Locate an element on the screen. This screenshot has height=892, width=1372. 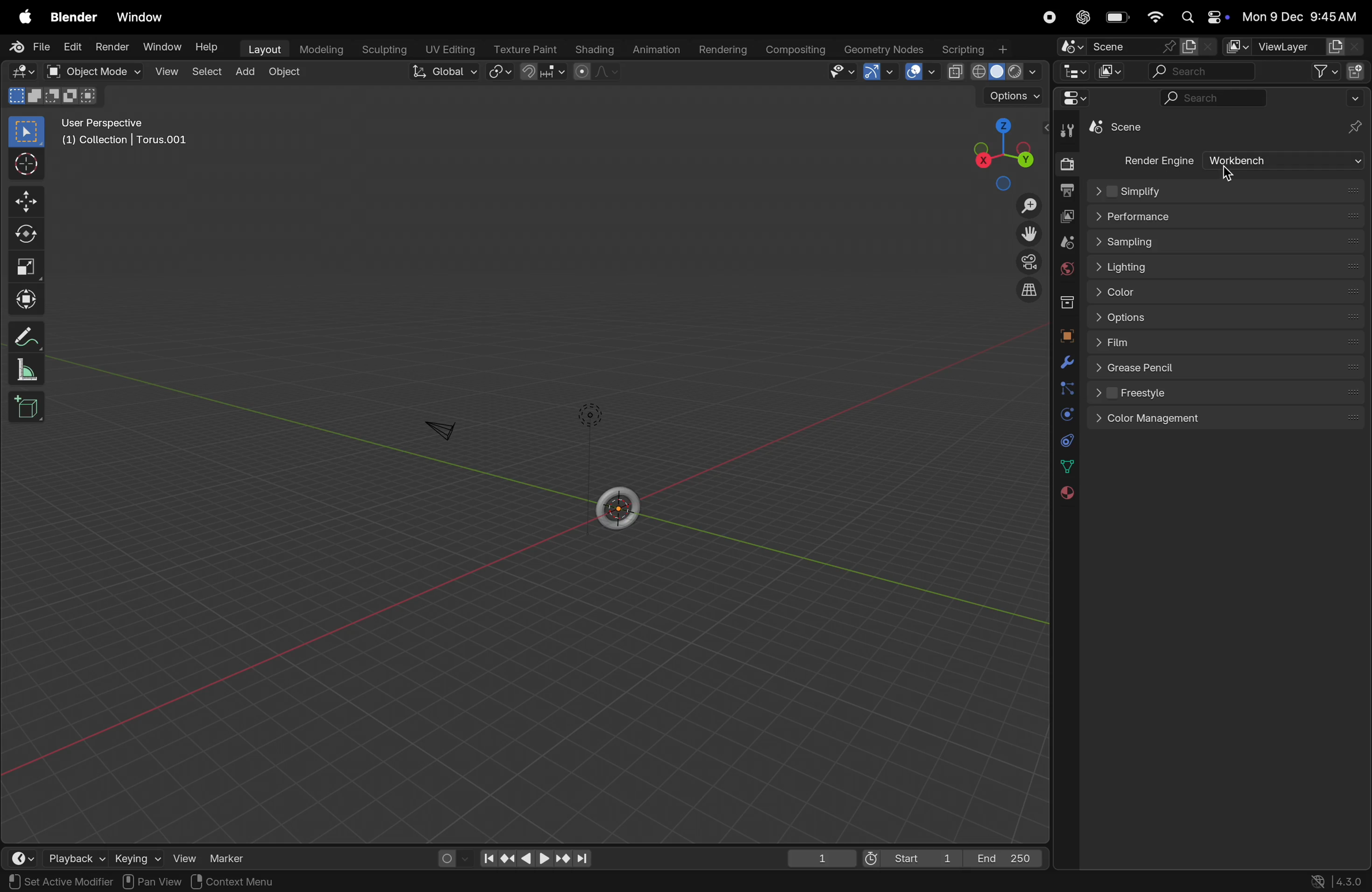
record is located at coordinates (1046, 18).